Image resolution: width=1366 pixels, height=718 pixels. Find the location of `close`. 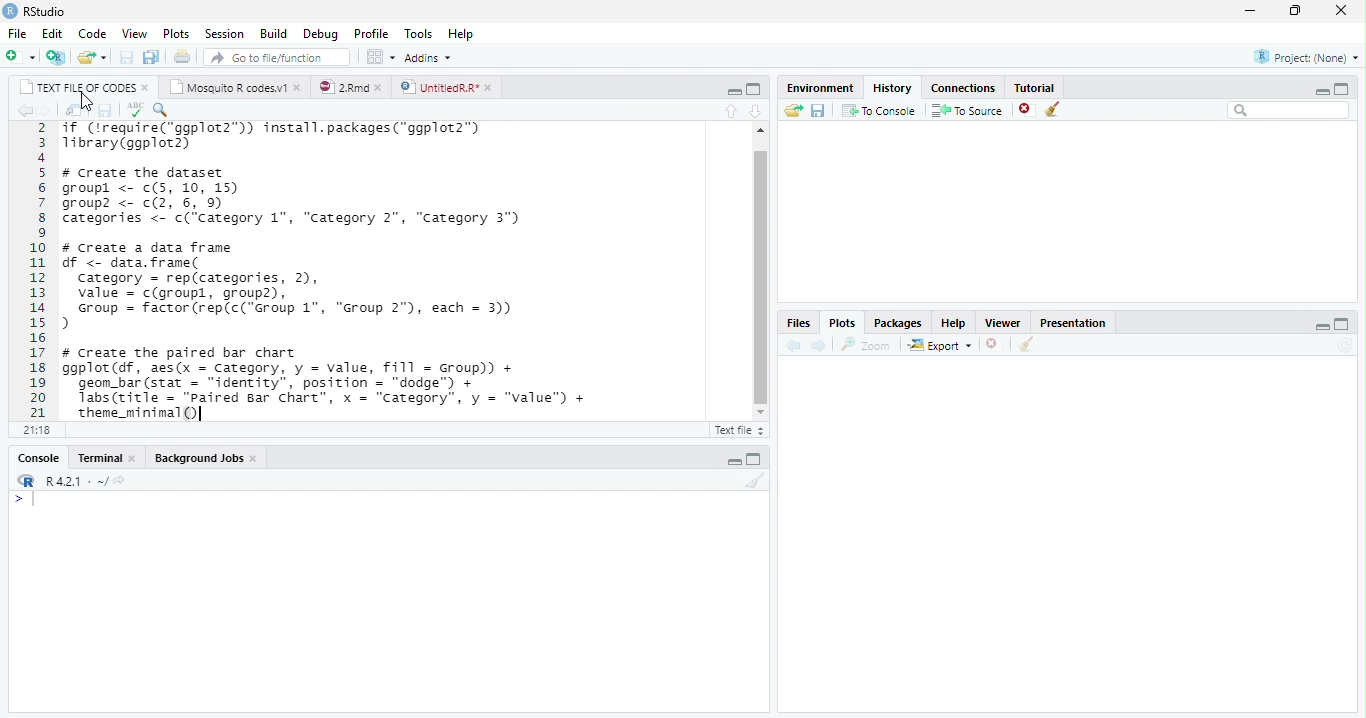

close is located at coordinates (133, 457).